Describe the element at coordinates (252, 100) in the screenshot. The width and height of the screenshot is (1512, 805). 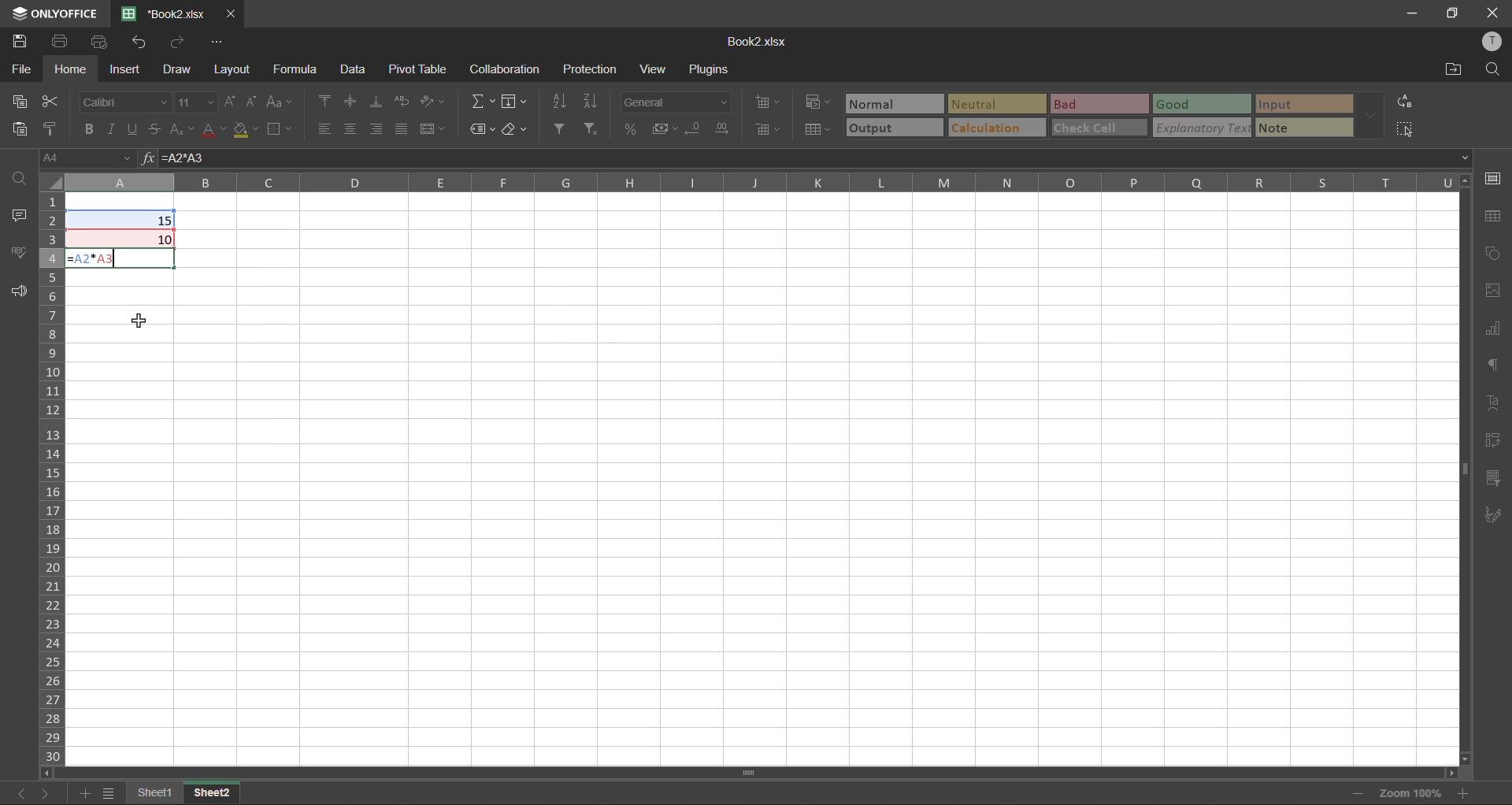
I see `decrement size` at that location.